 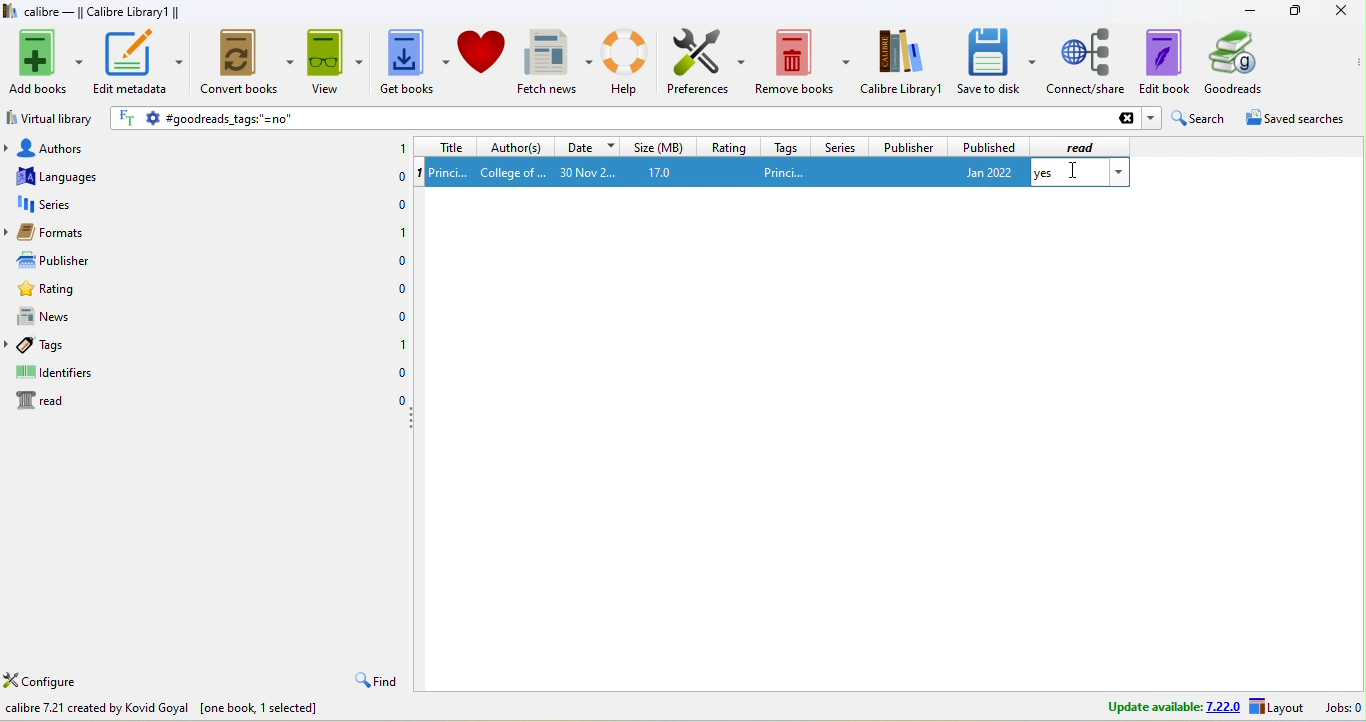 I want to click on donate, so click(x=484, y=60).